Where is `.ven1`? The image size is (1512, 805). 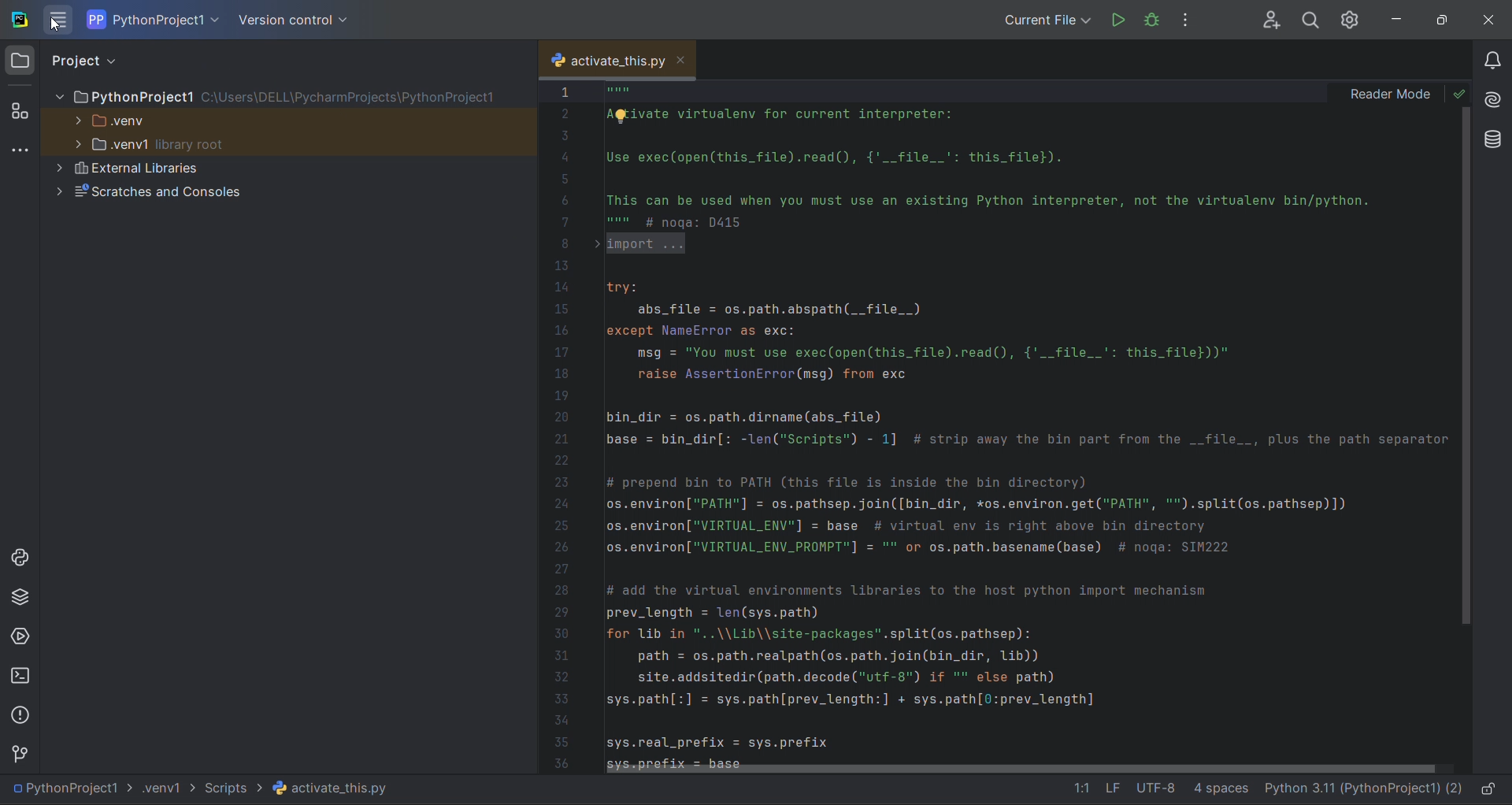 .ven1 is located at coordinates (187, 145).